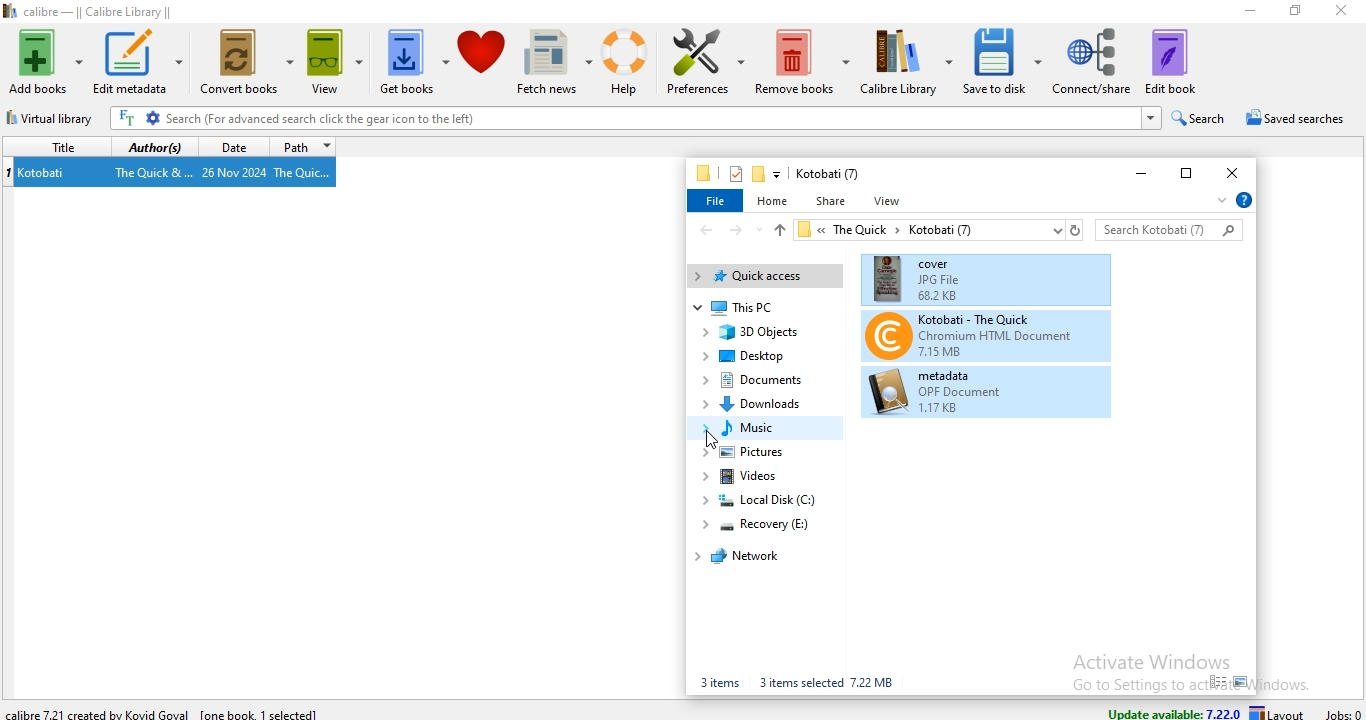  I want to click on  saved searches, so click(1293, 118).